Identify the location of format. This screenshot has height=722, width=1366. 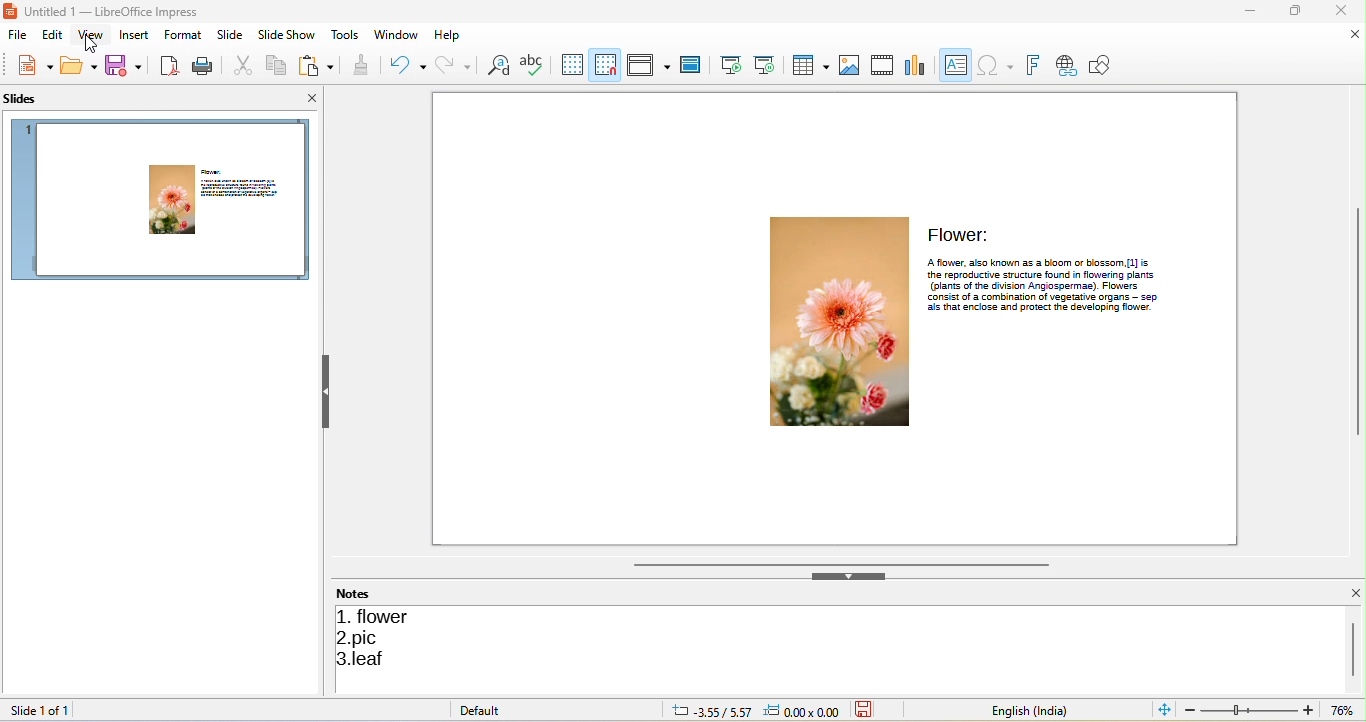
(181, 37).